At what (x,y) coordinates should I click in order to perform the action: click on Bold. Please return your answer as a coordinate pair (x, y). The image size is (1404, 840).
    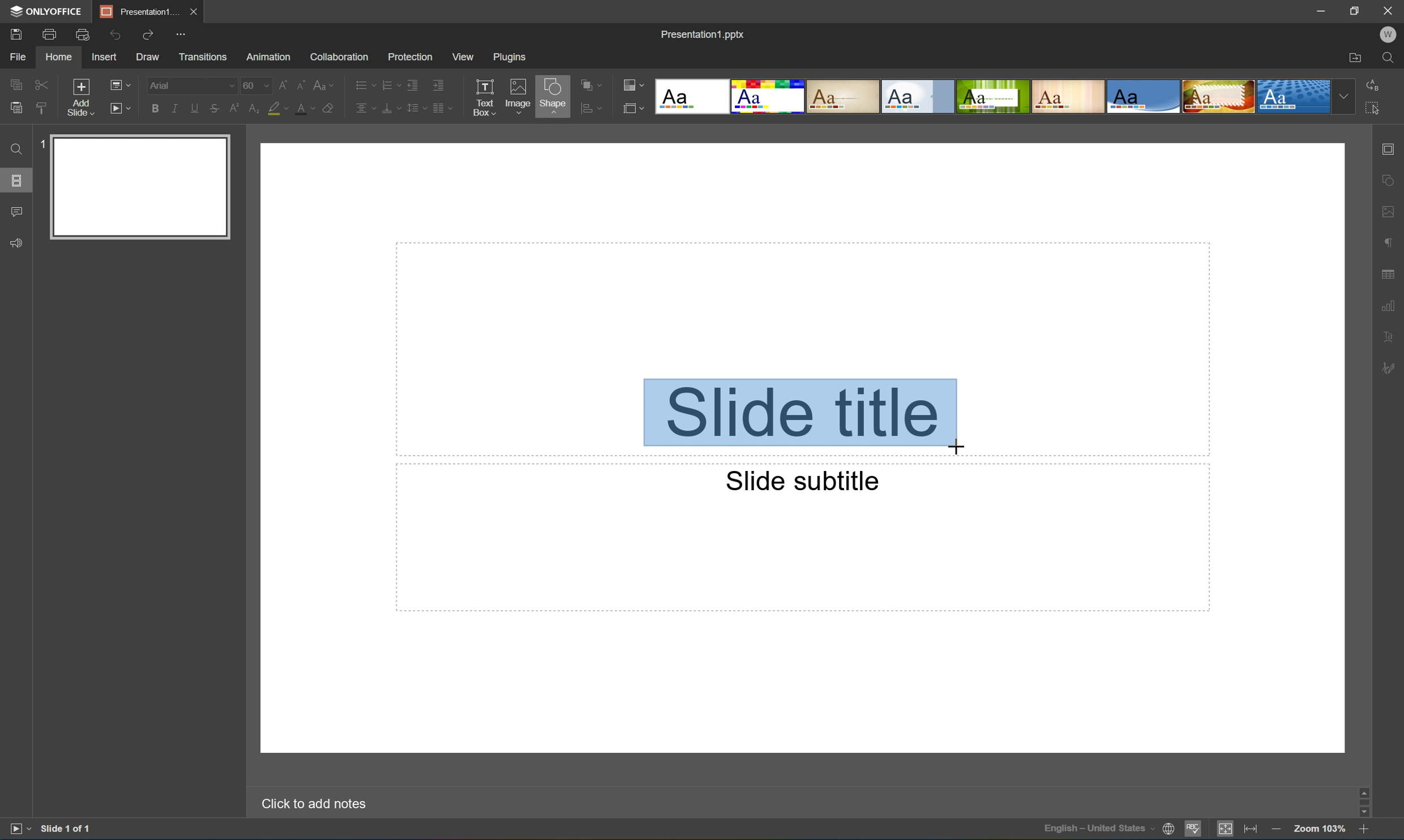
    Looking at the image, I should click on (153, 108).